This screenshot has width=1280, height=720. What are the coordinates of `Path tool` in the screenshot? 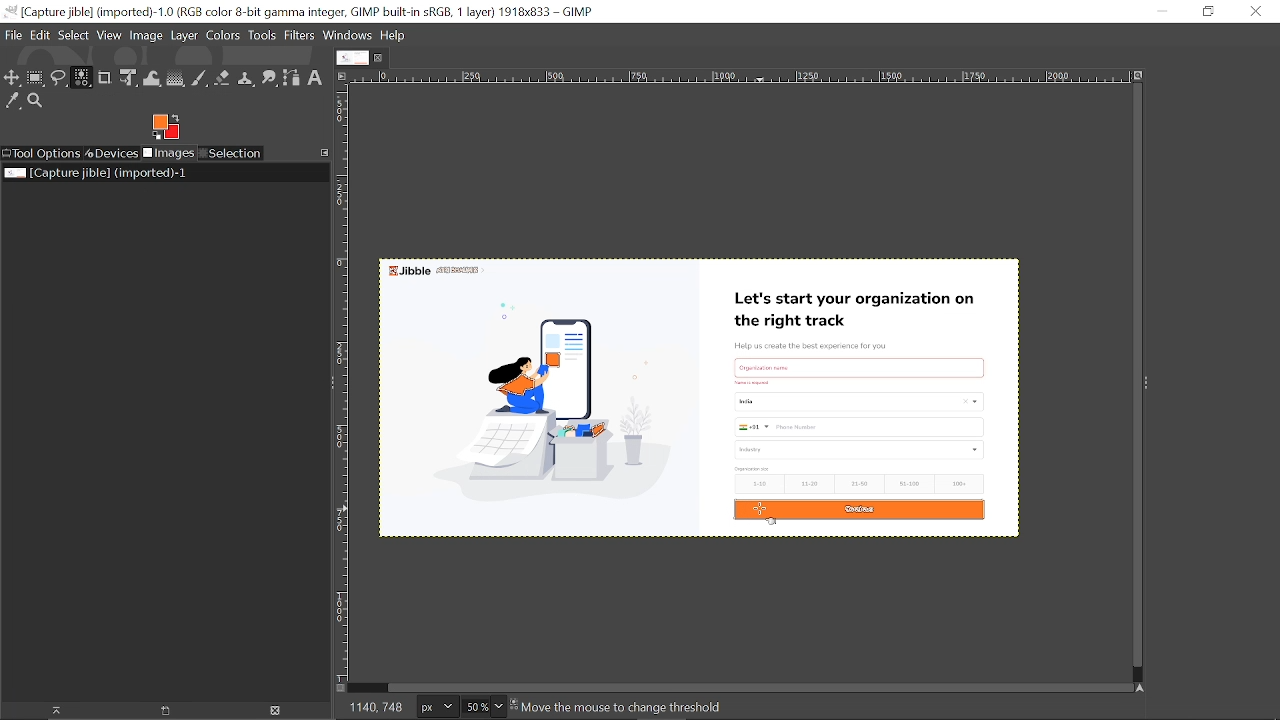 It's located at (291, 78).